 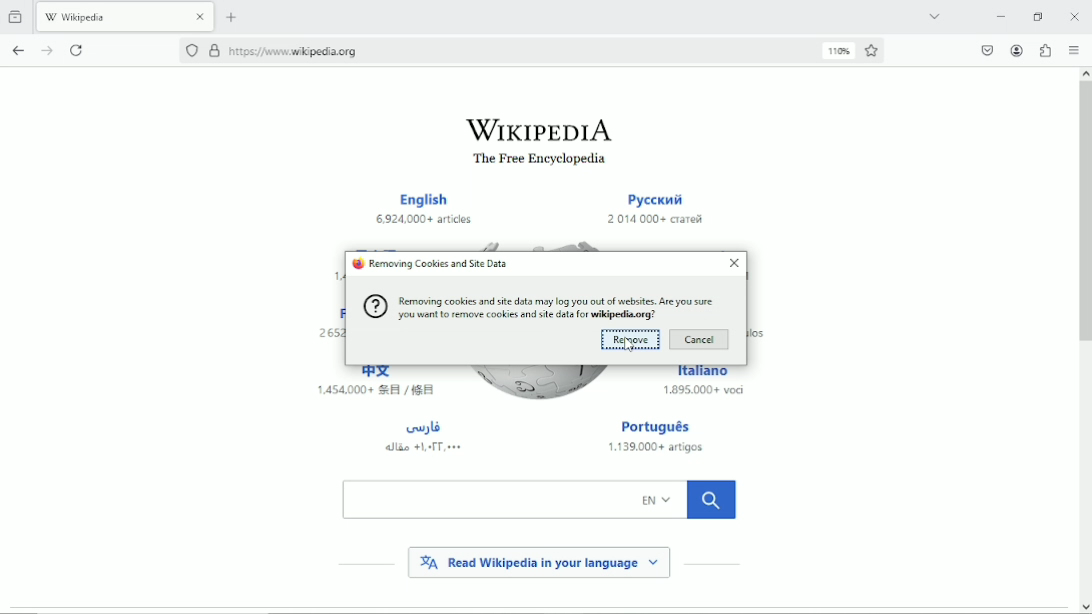 What do you see at coordinates (1083, 214) in the screenshot?
I see `vertical scrollbar` at bounding box center [1083, 214].